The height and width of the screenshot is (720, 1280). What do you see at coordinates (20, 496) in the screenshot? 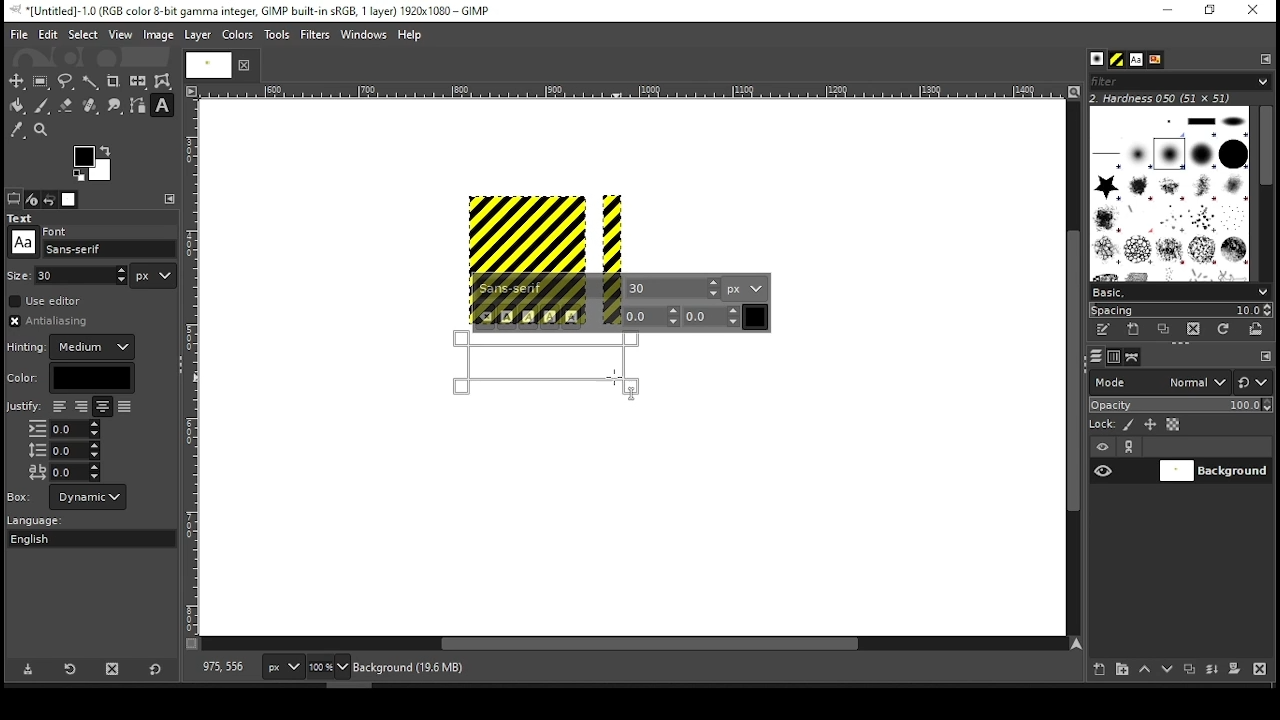
I see `` at bounding box center [20, 496].